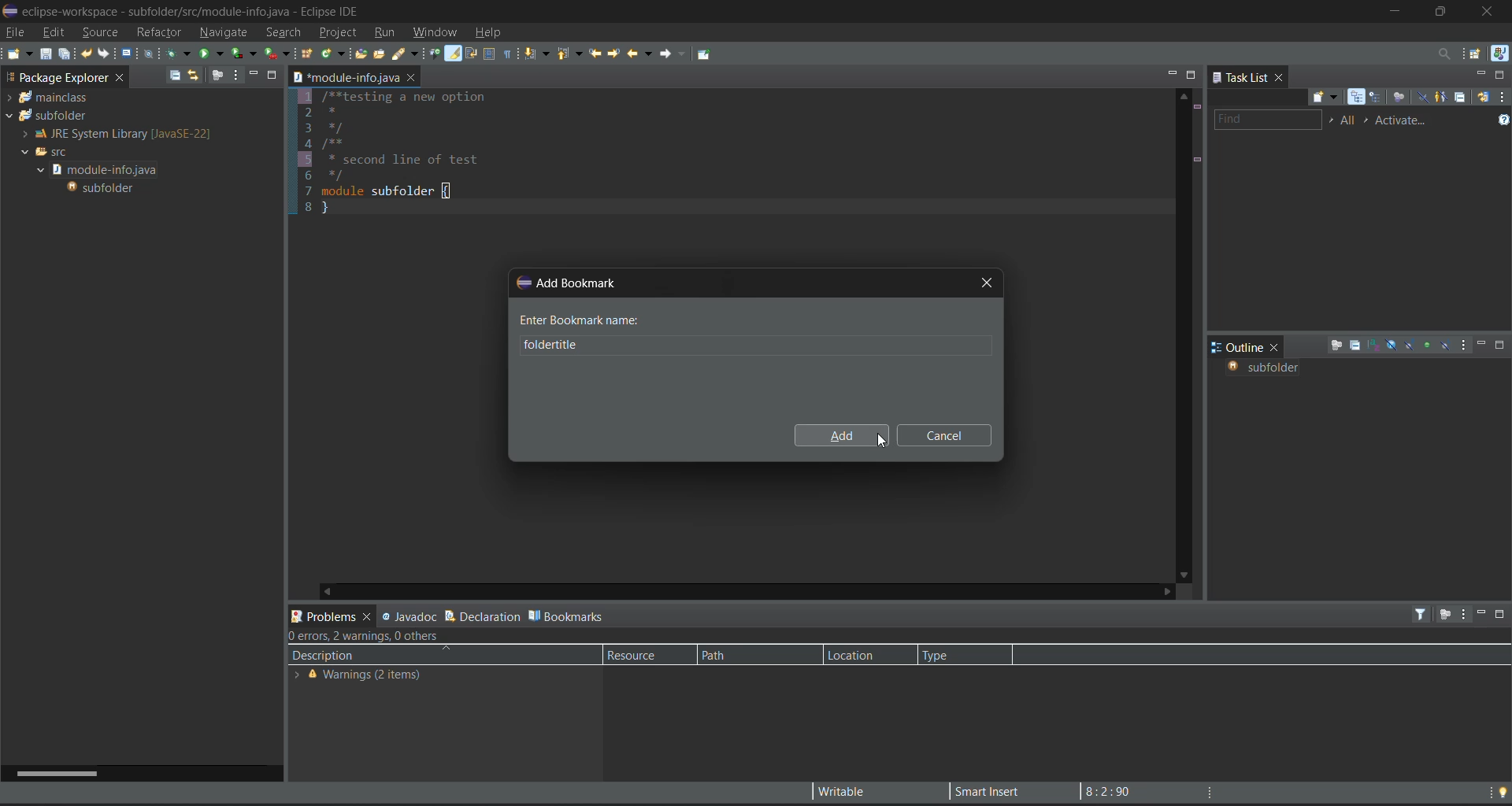  Describe the element at coordinates (669, 54) in the screenshot. I see `forward` at that location.